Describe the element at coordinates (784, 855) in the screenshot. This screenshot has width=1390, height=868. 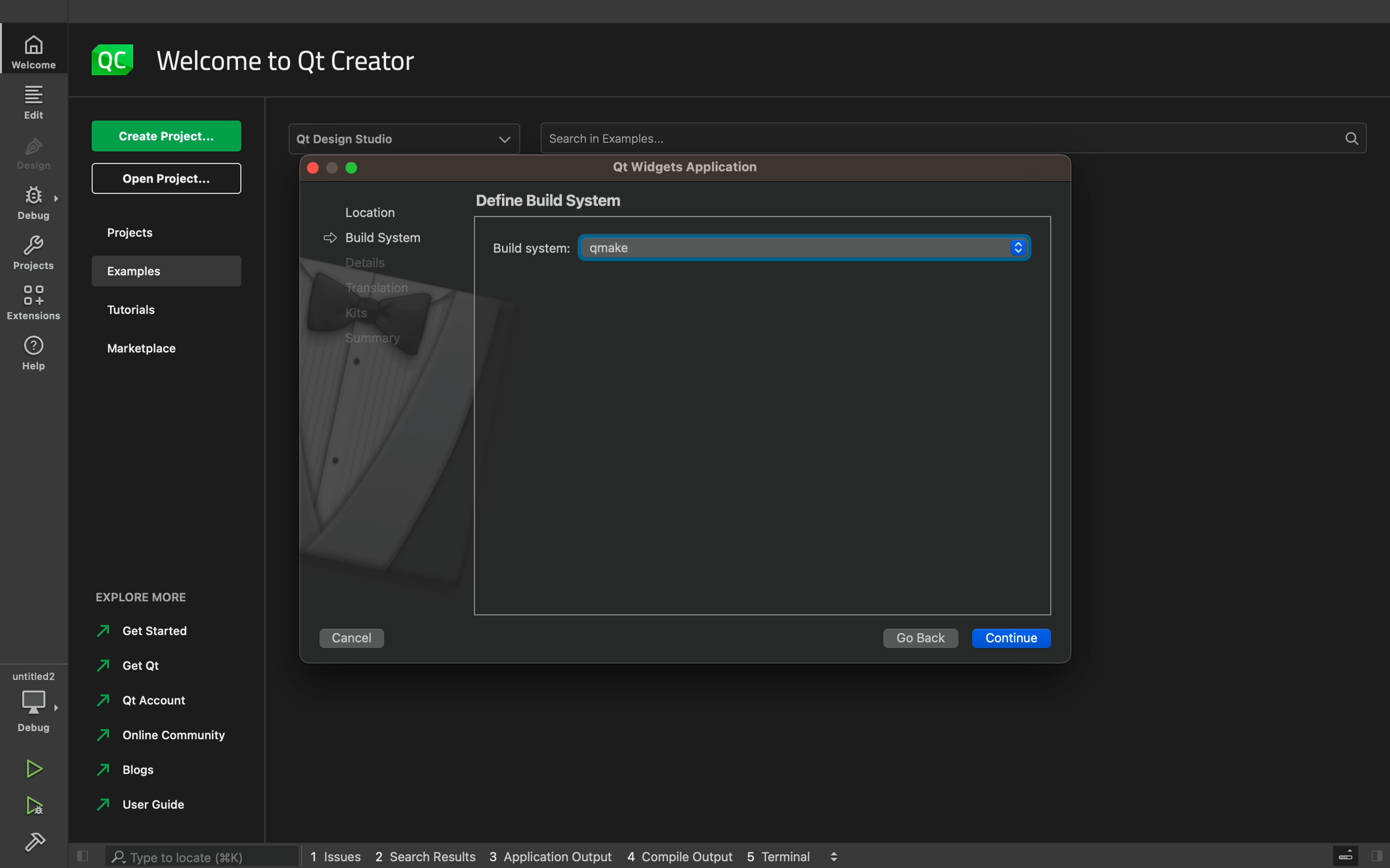
I see `5 terminal` at that location.